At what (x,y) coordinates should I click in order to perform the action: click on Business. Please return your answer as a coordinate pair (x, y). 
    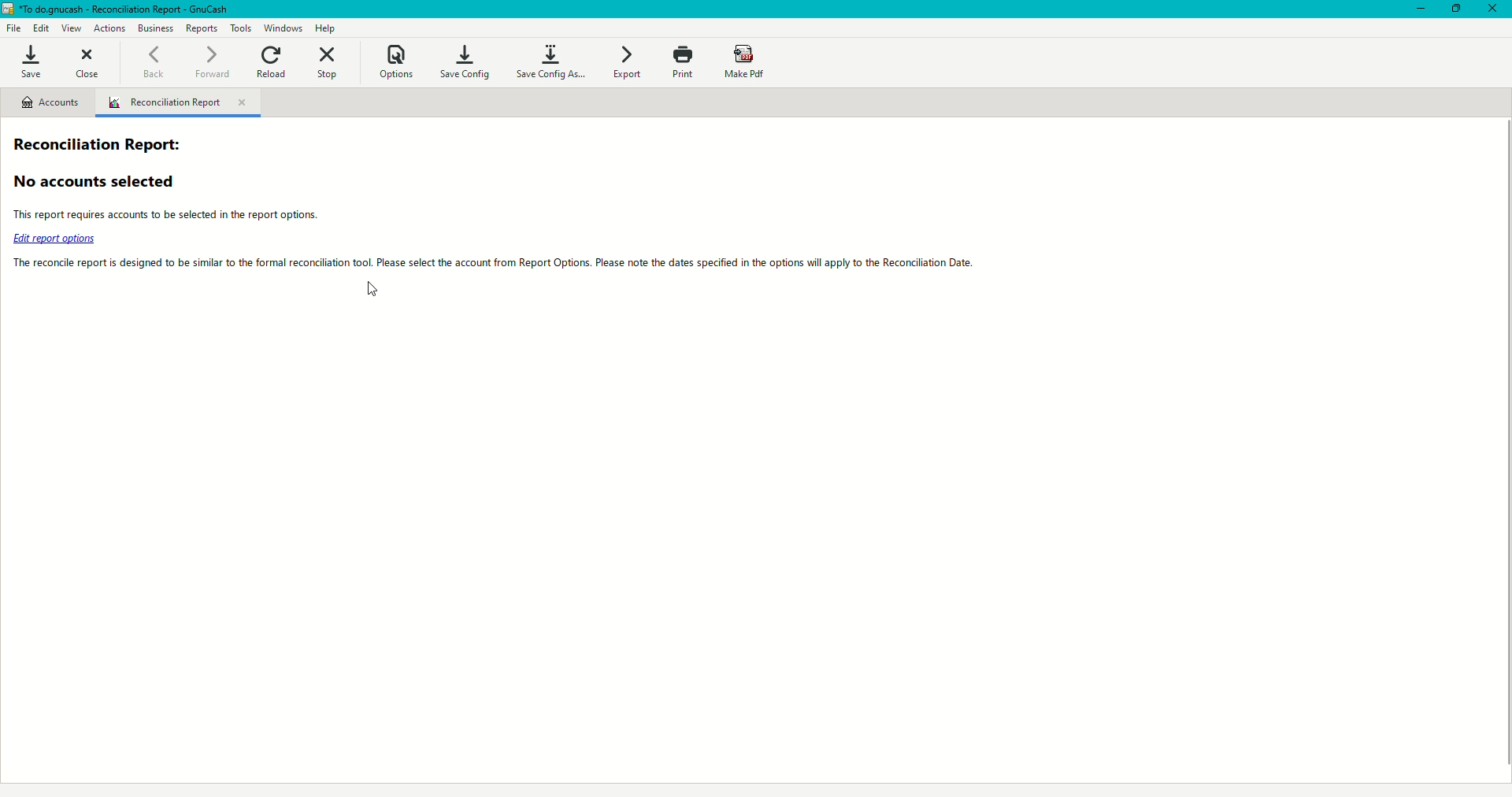
    Looking at the image, I should click on (156, 28).